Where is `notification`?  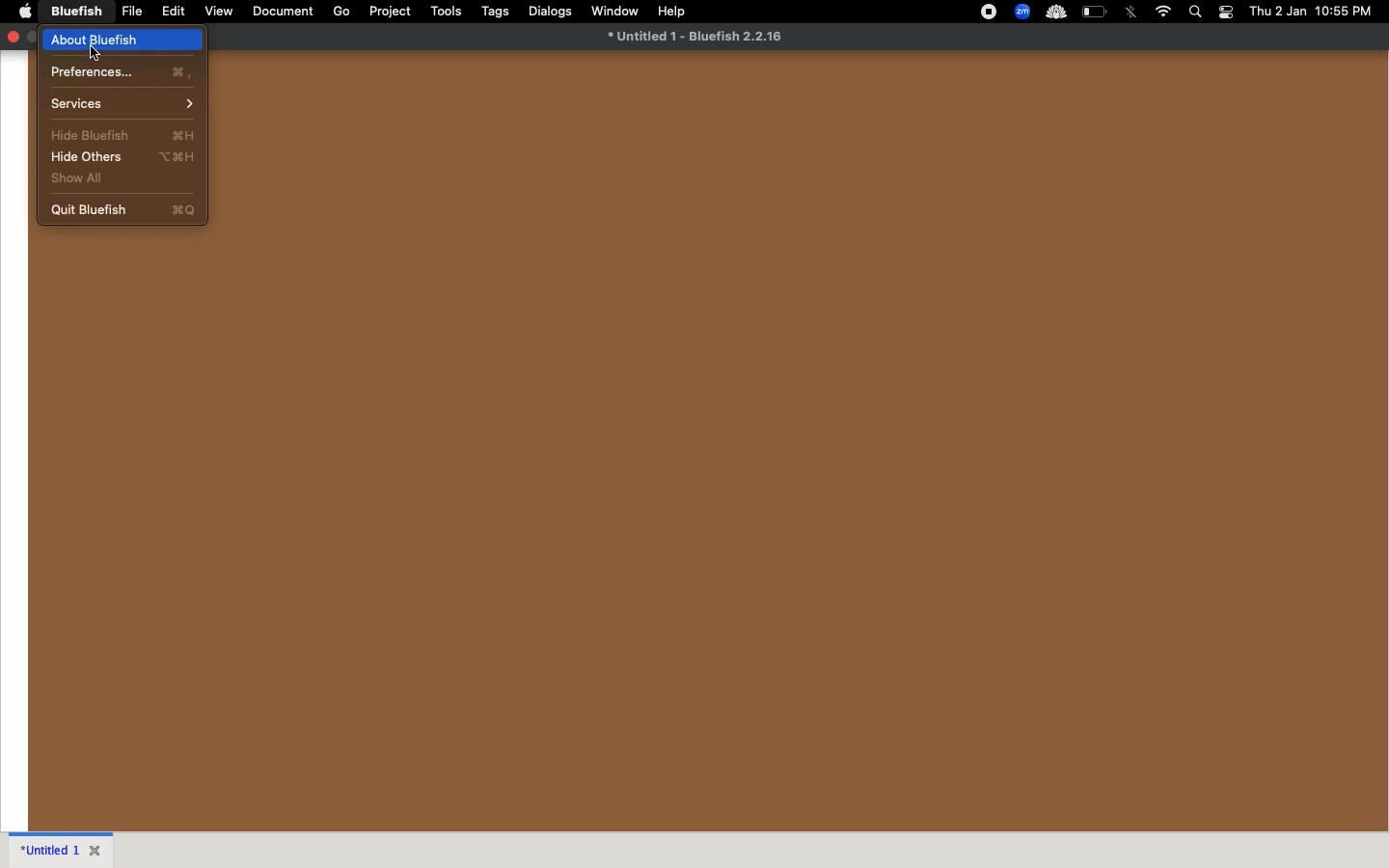
notification is located at coordinates (1227, 13).